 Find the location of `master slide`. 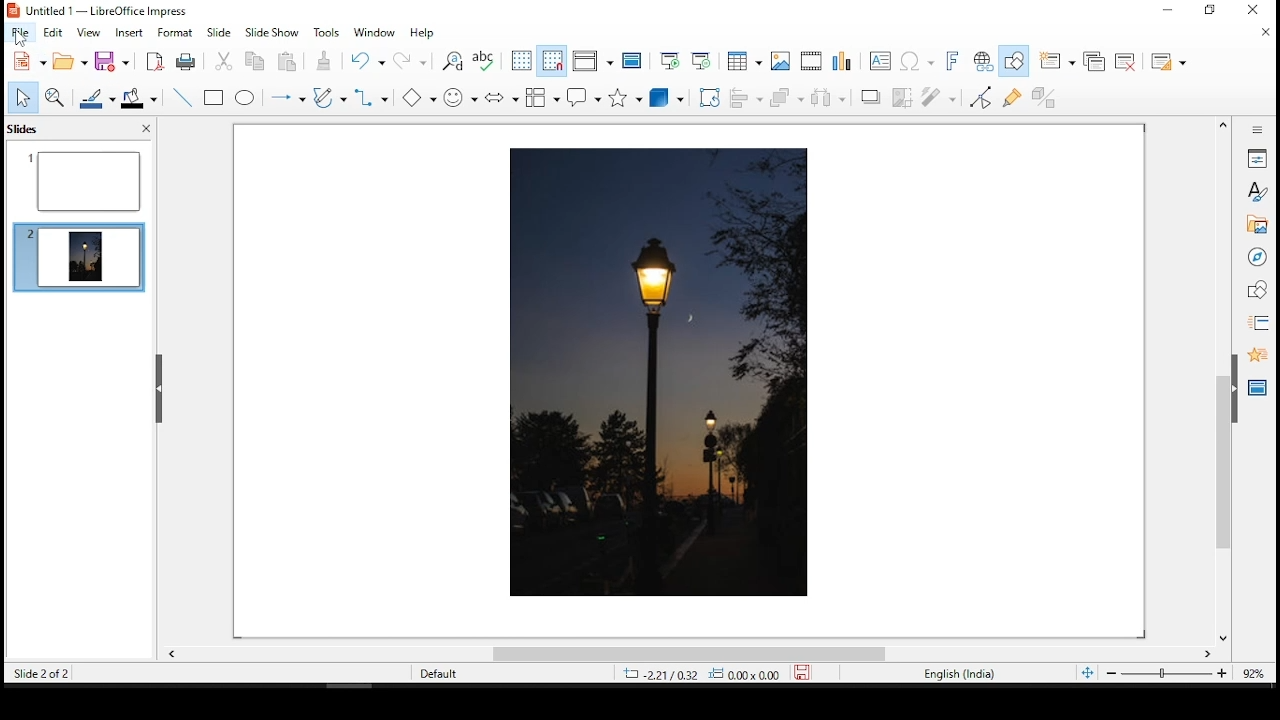

master slide is located at coordinates (635, 60).